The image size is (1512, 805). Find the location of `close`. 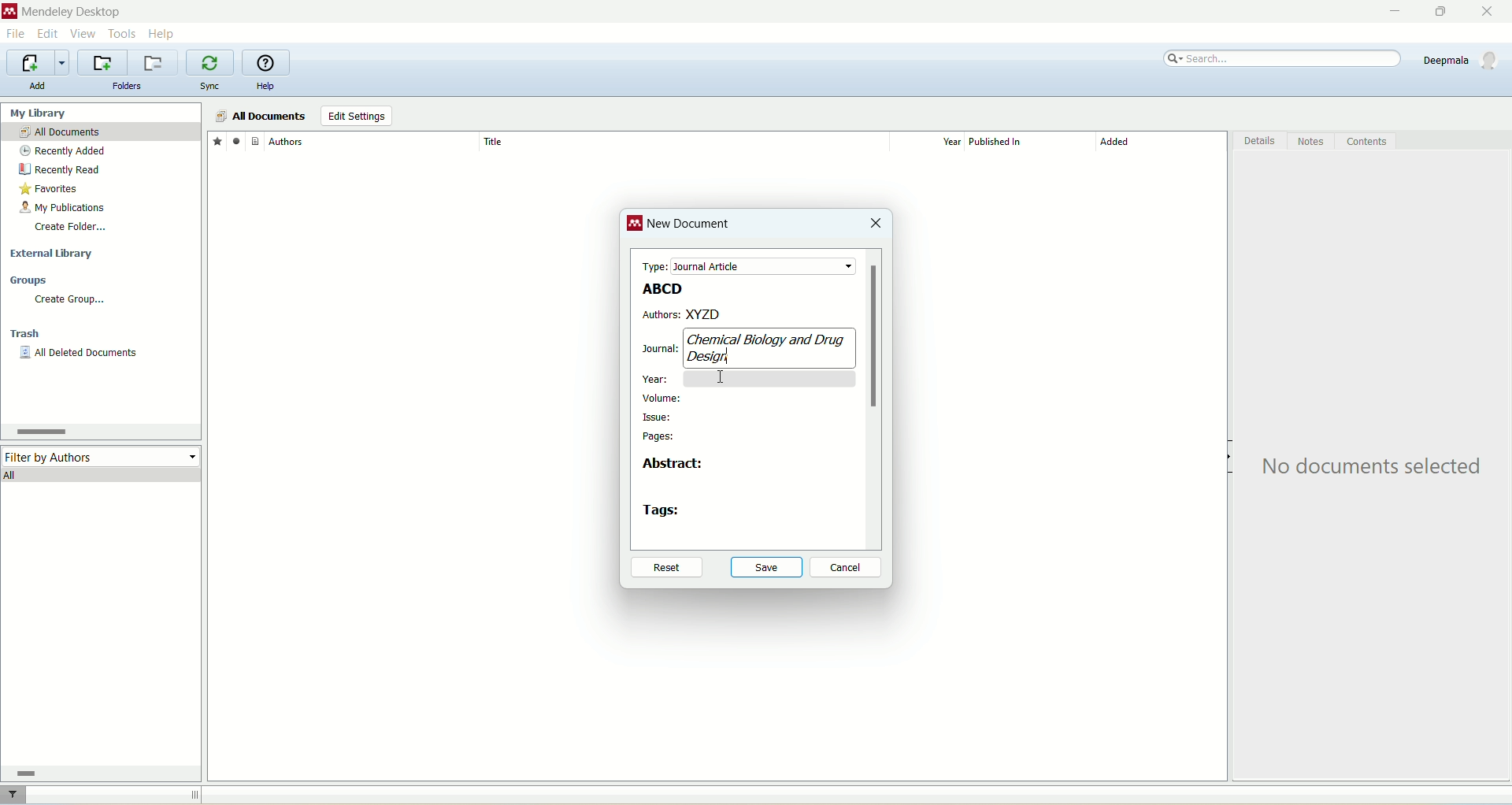

close is located at coordinates (1494, 12).